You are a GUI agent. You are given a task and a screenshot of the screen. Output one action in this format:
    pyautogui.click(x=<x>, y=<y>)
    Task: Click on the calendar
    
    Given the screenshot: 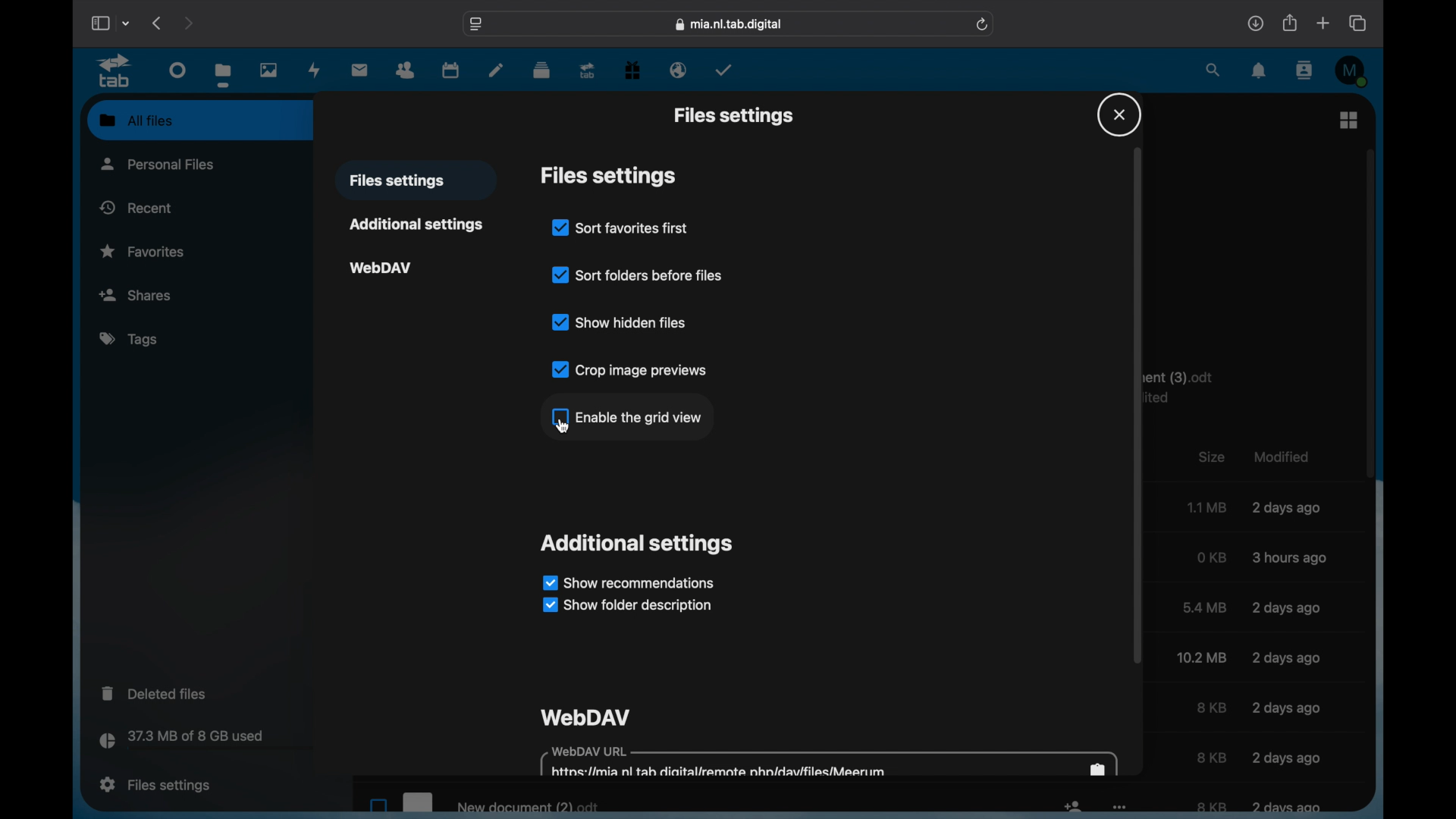 What is the action you would take?
    pyautogui.click(x=450, y=69)
    